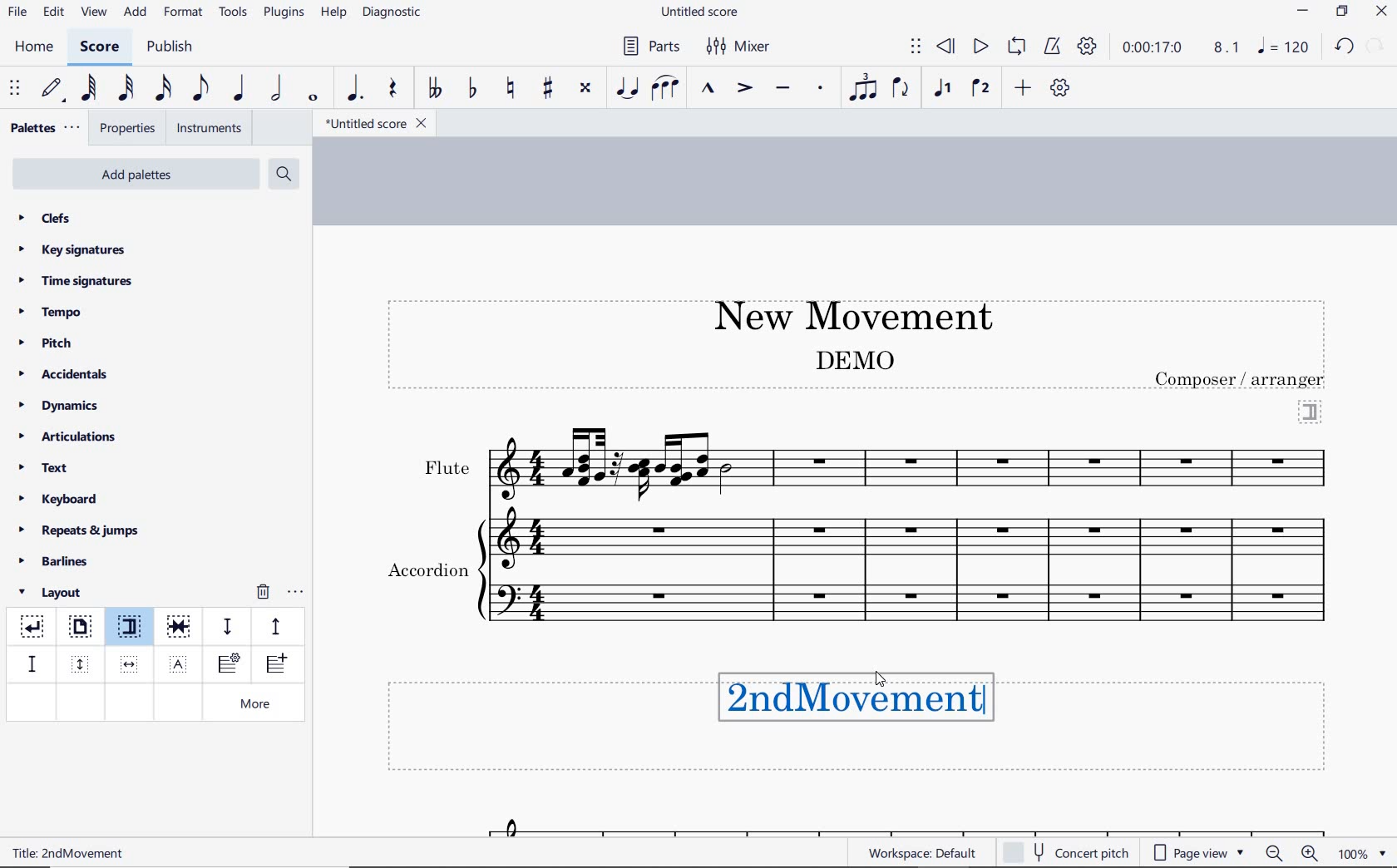 Image resolution: width=1397 pixels, height=868 pixels. Describe the element at coordinates (284, 13) in the screenshot. I see `plugins` at that location.